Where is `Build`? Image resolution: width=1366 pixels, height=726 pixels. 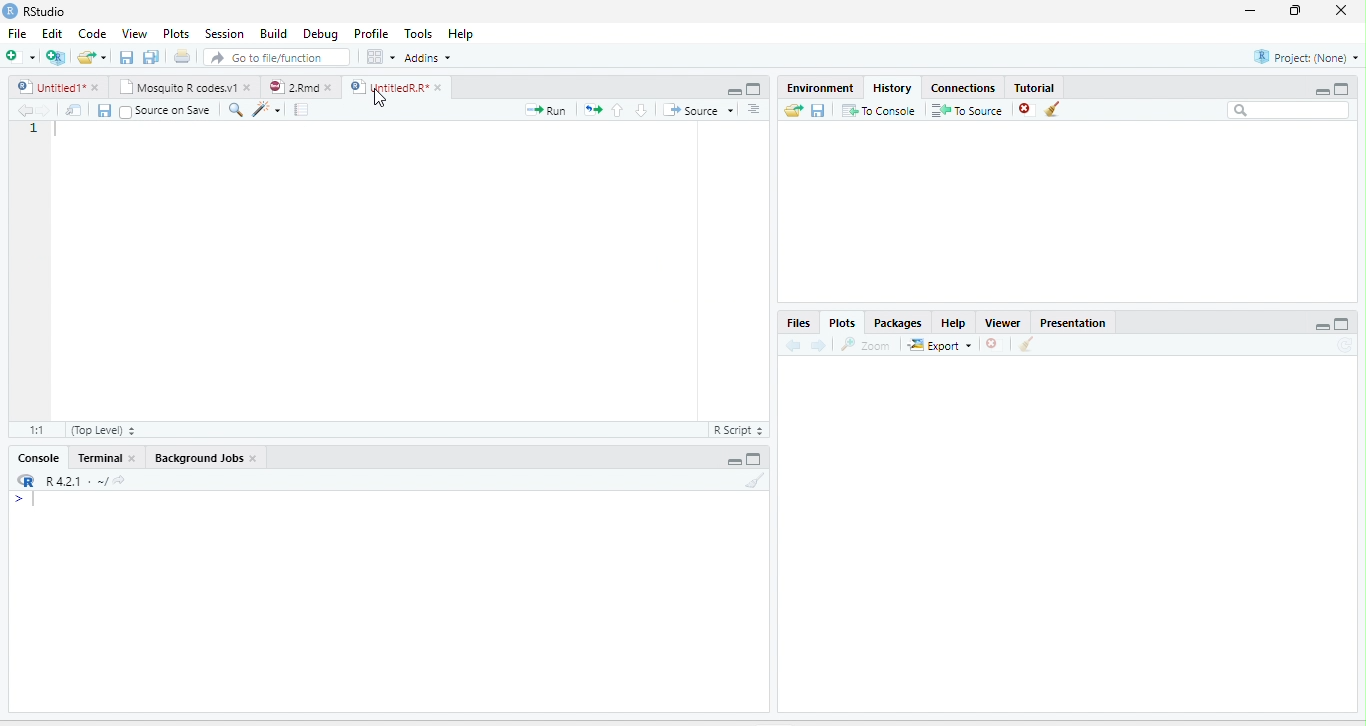
Build is located at coordinates (273, 33).